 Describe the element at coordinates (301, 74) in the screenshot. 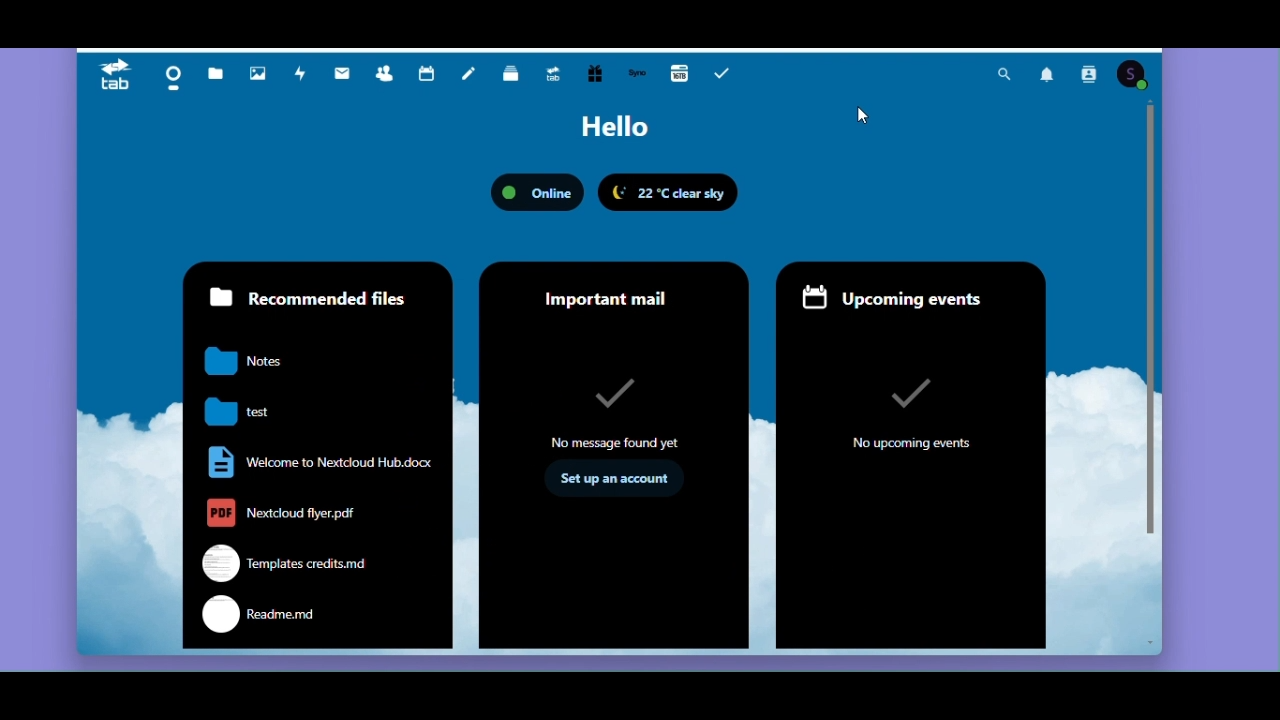

I see `Activity` at that location.